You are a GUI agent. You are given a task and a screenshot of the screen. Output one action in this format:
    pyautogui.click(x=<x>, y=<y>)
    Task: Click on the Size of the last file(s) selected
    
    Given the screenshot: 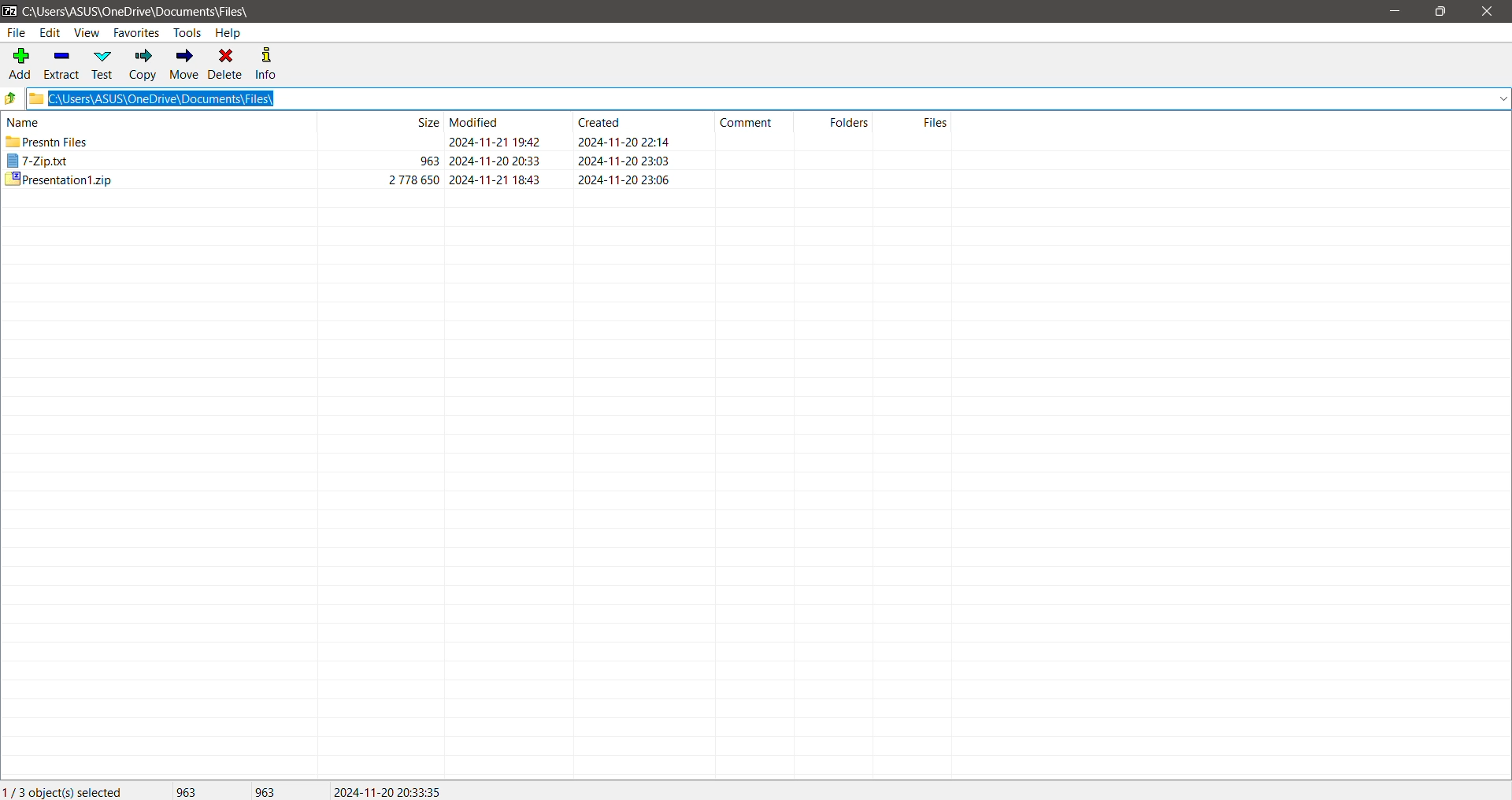 What is the action you would take?
    pyautogui.click(x=266, y=791)
    